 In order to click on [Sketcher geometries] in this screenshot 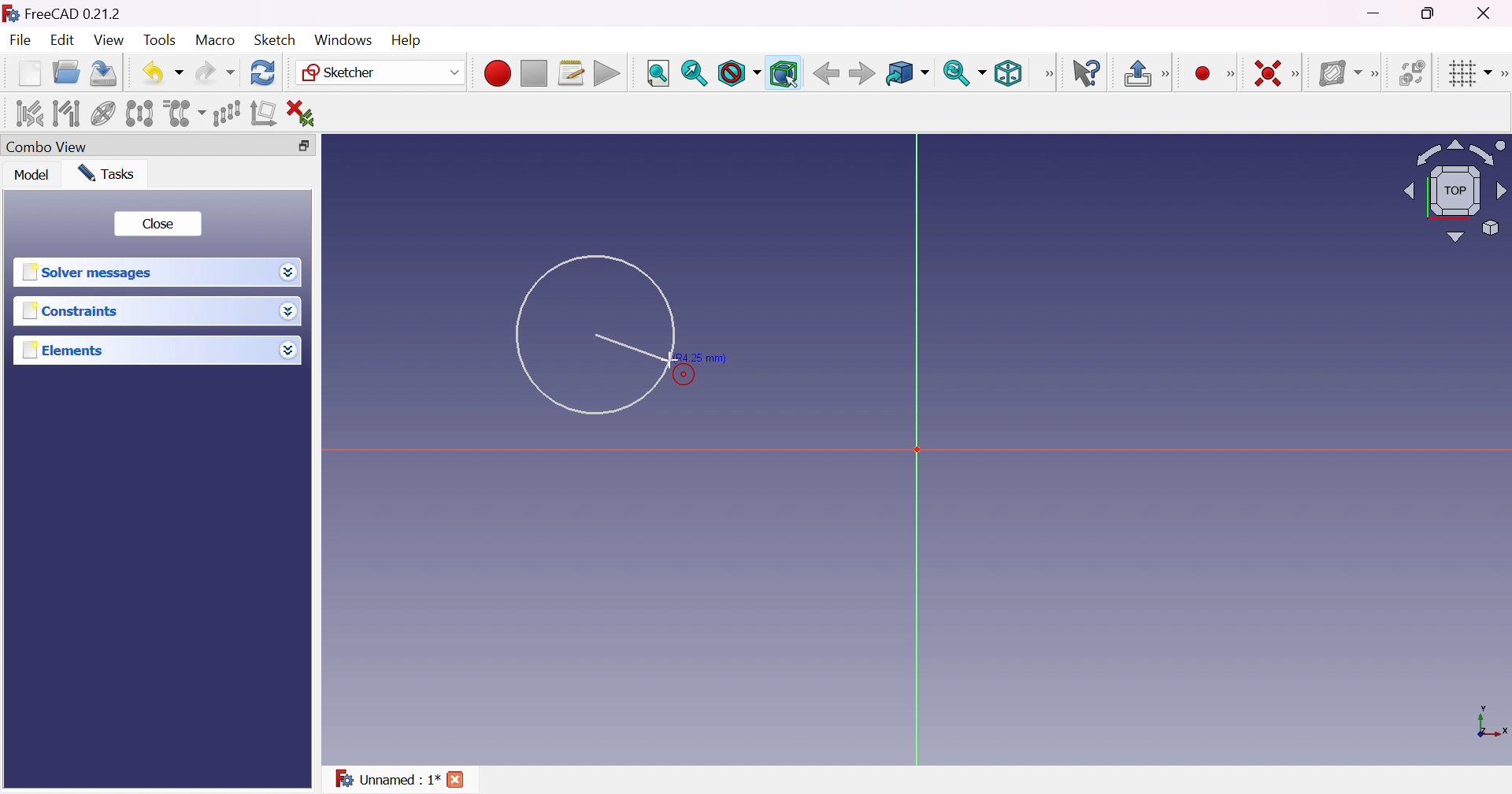, I will do `click(1235, 74)`.